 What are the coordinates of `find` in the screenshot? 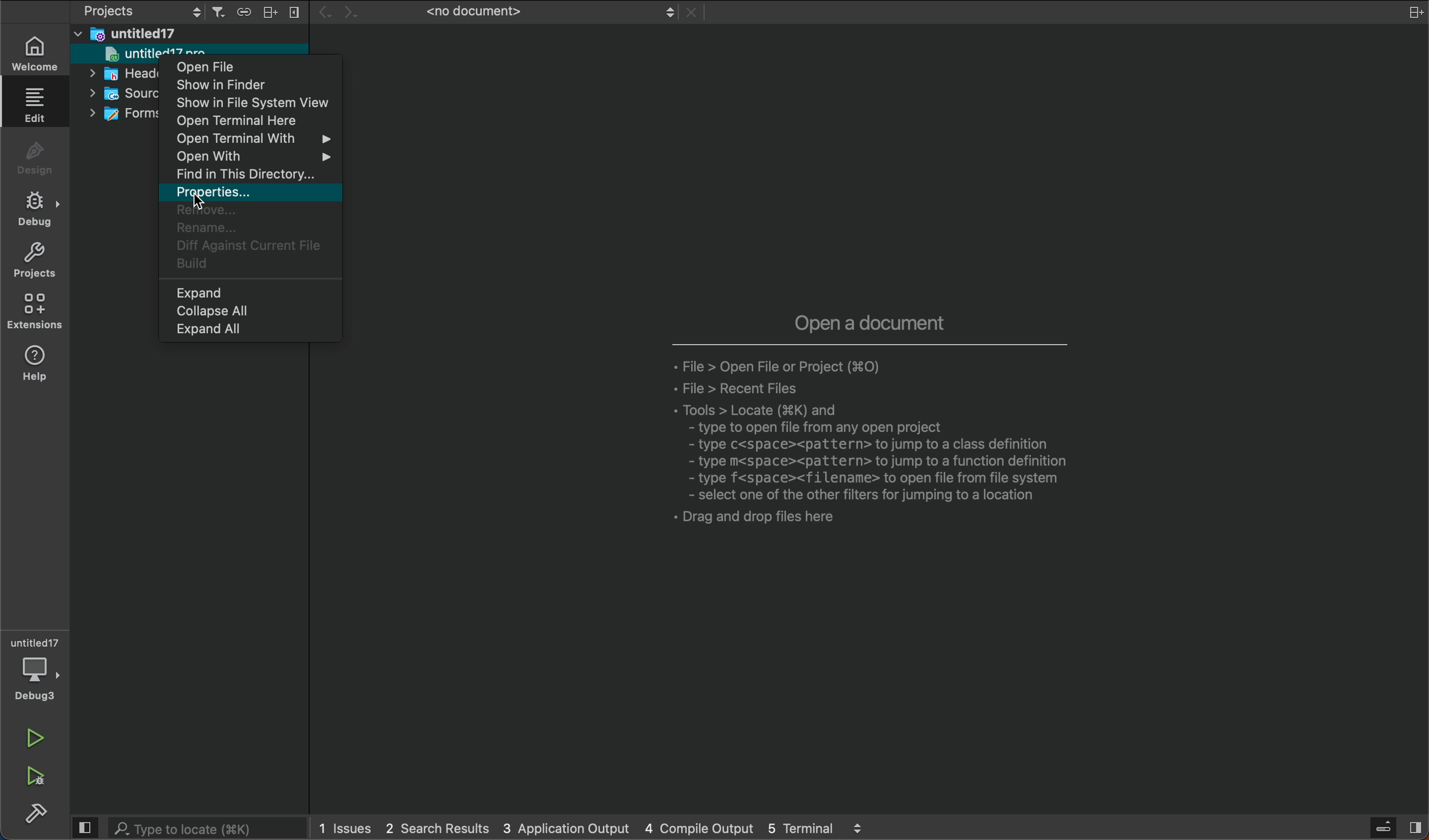 It's located at (252, 175).